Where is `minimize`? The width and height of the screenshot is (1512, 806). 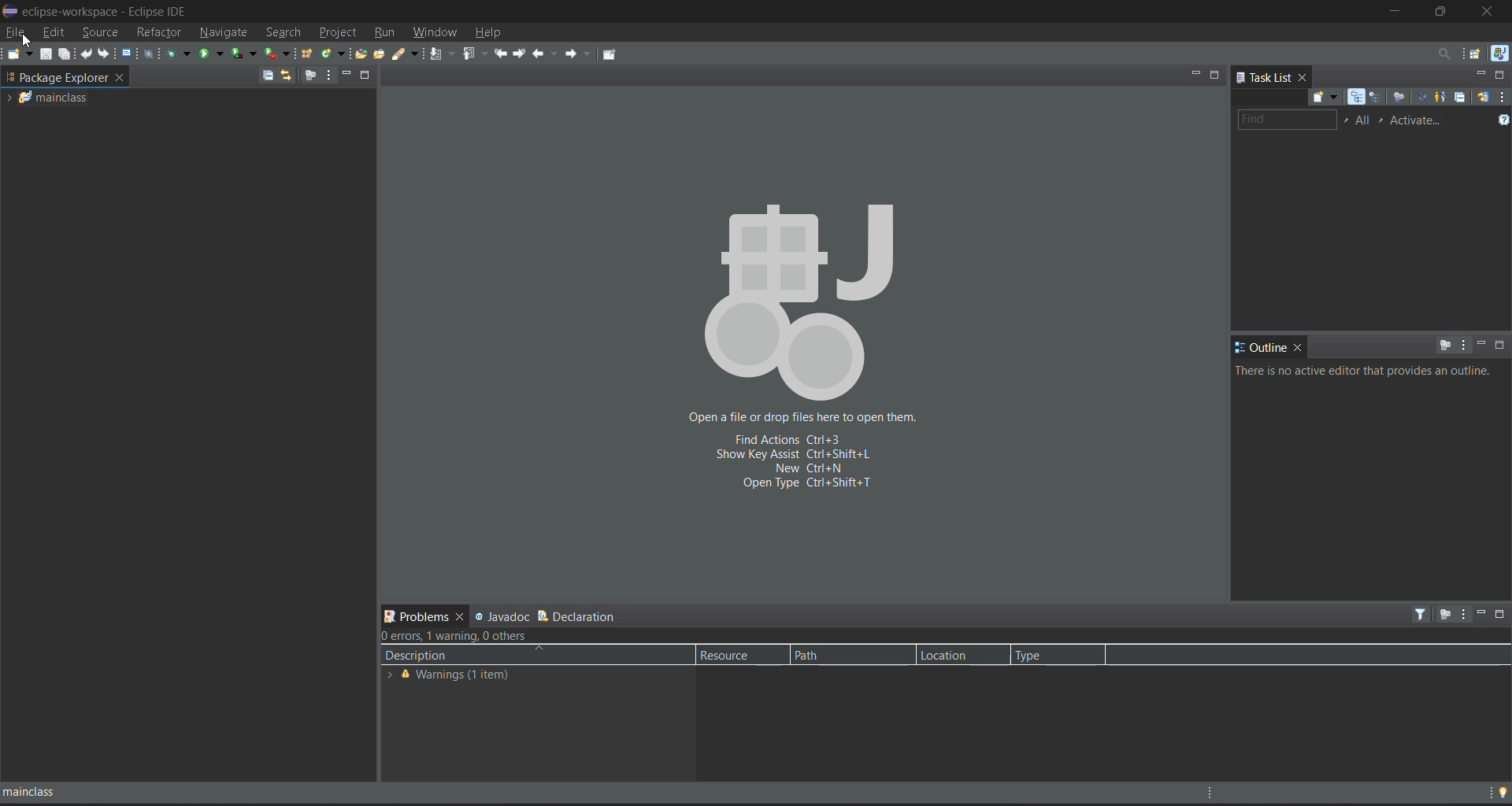 minimize is located at coordinates (1480, 612).